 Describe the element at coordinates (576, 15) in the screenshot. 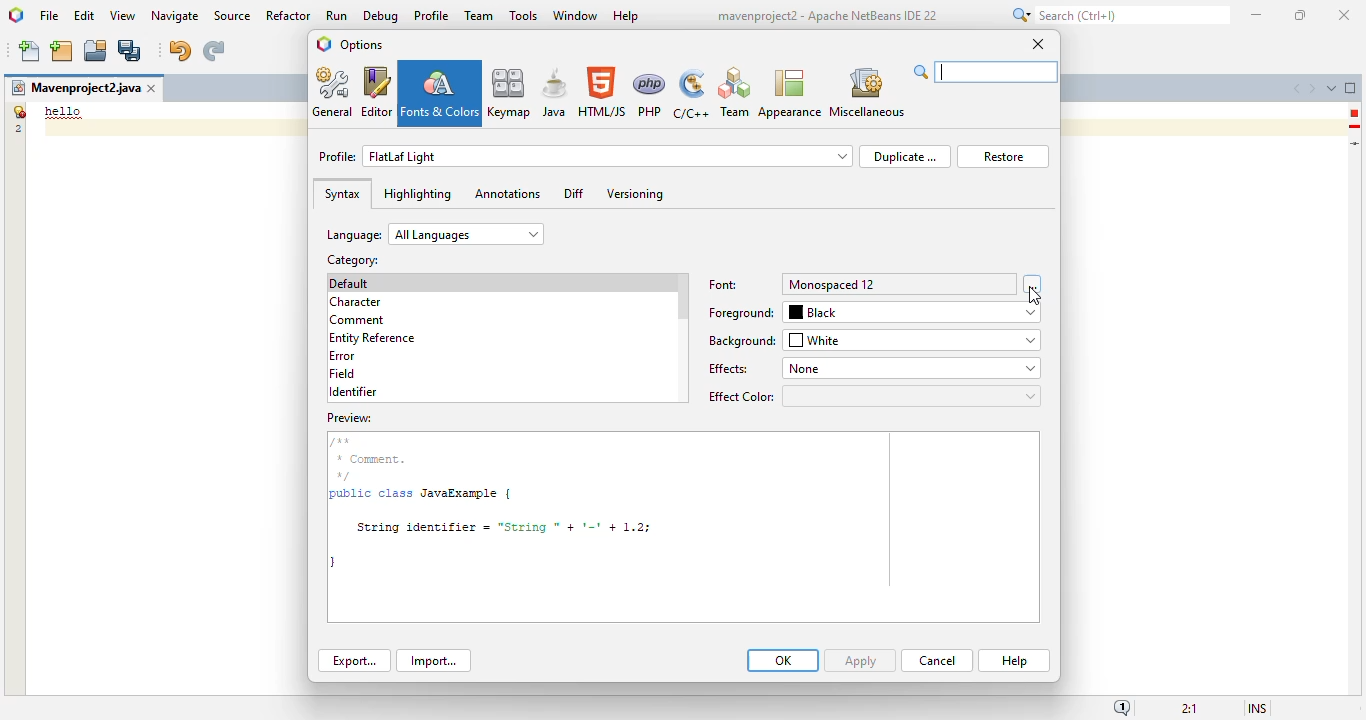

I see `window` at that location.